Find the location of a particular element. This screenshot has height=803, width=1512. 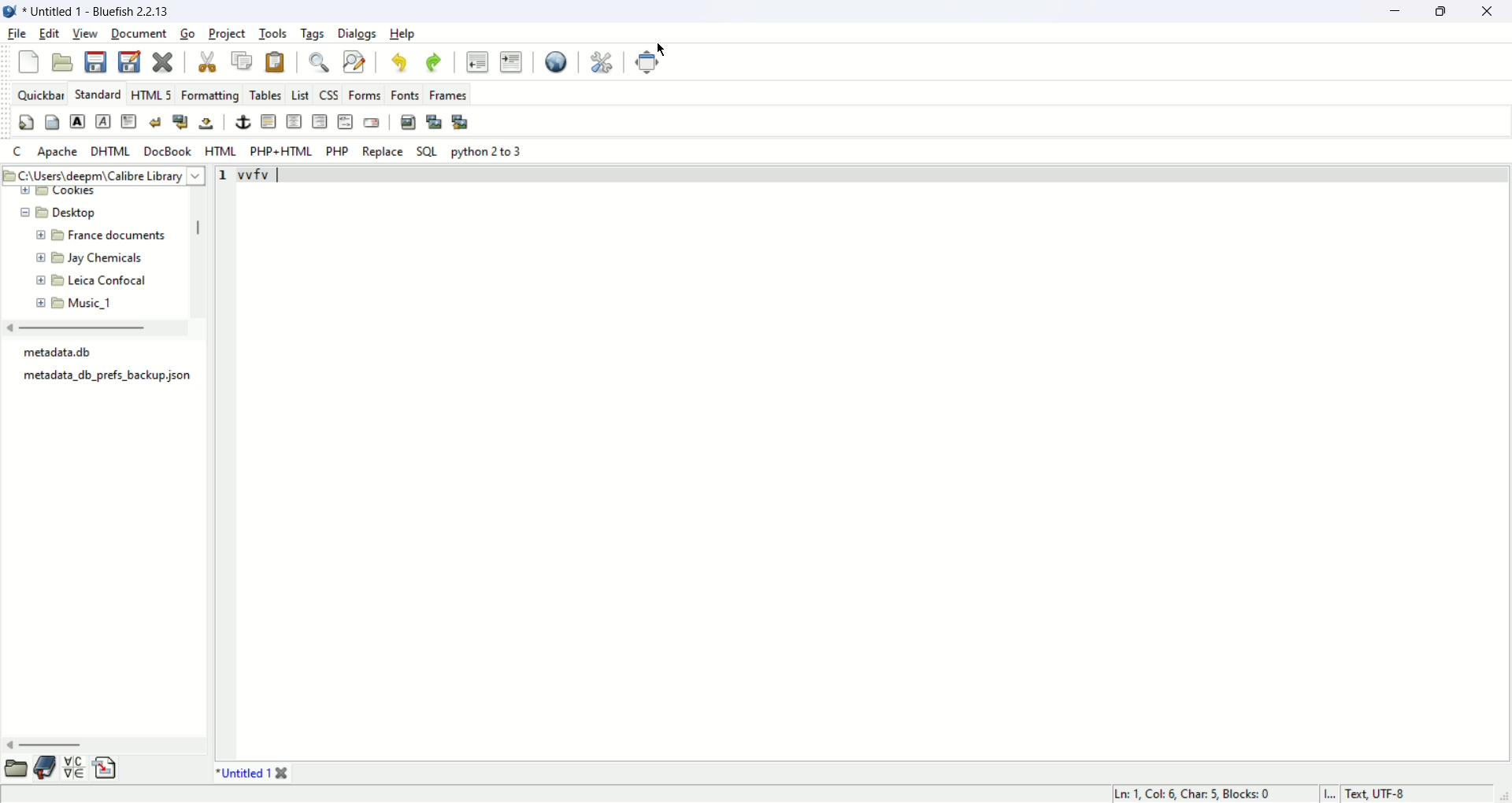

save as is located at coordinates (132, 61).